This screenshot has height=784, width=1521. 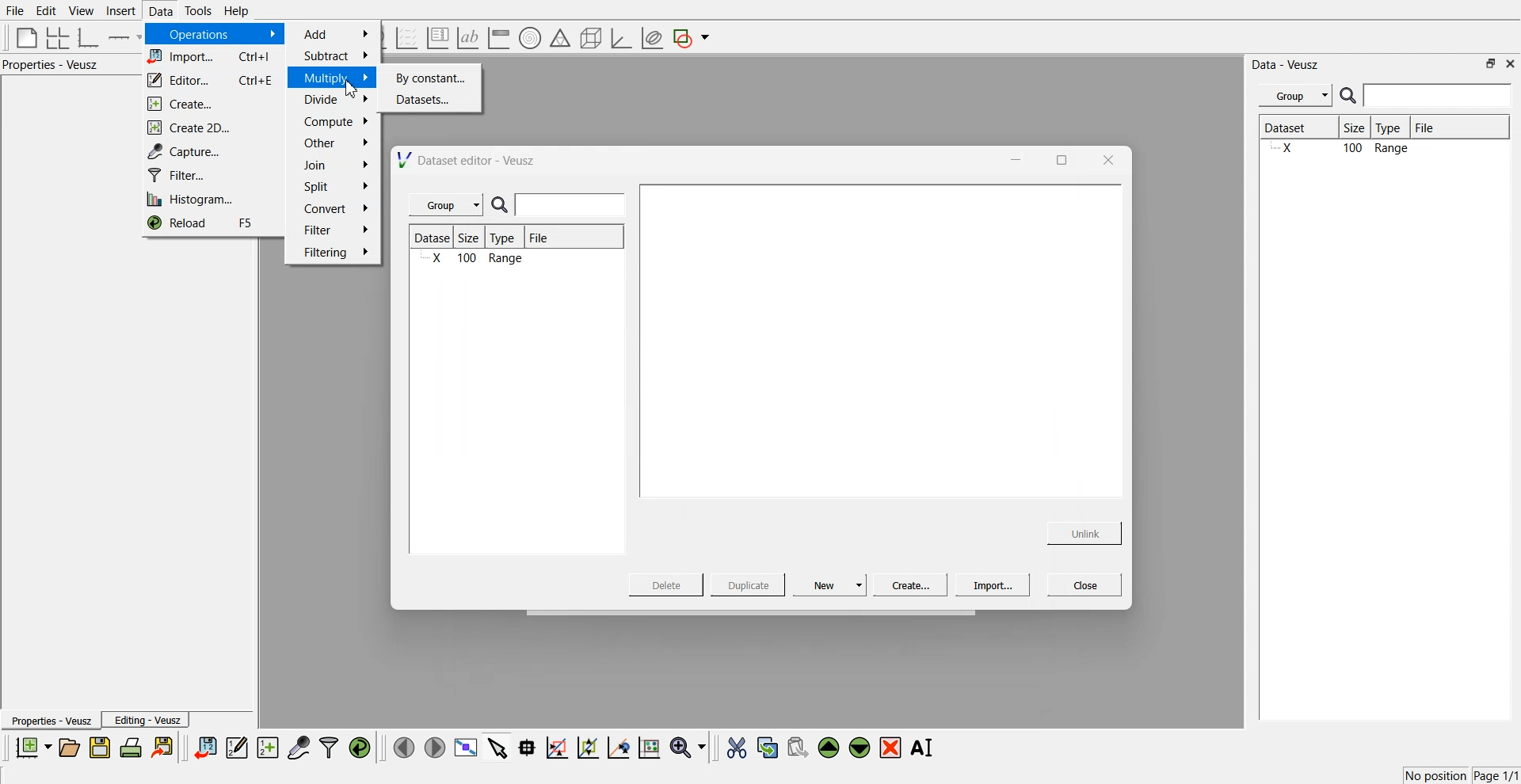 What do you see at coordinates (1491, 63) in the screenshot?
I see `minimise or maximise` at bounding box center [1491, 63].